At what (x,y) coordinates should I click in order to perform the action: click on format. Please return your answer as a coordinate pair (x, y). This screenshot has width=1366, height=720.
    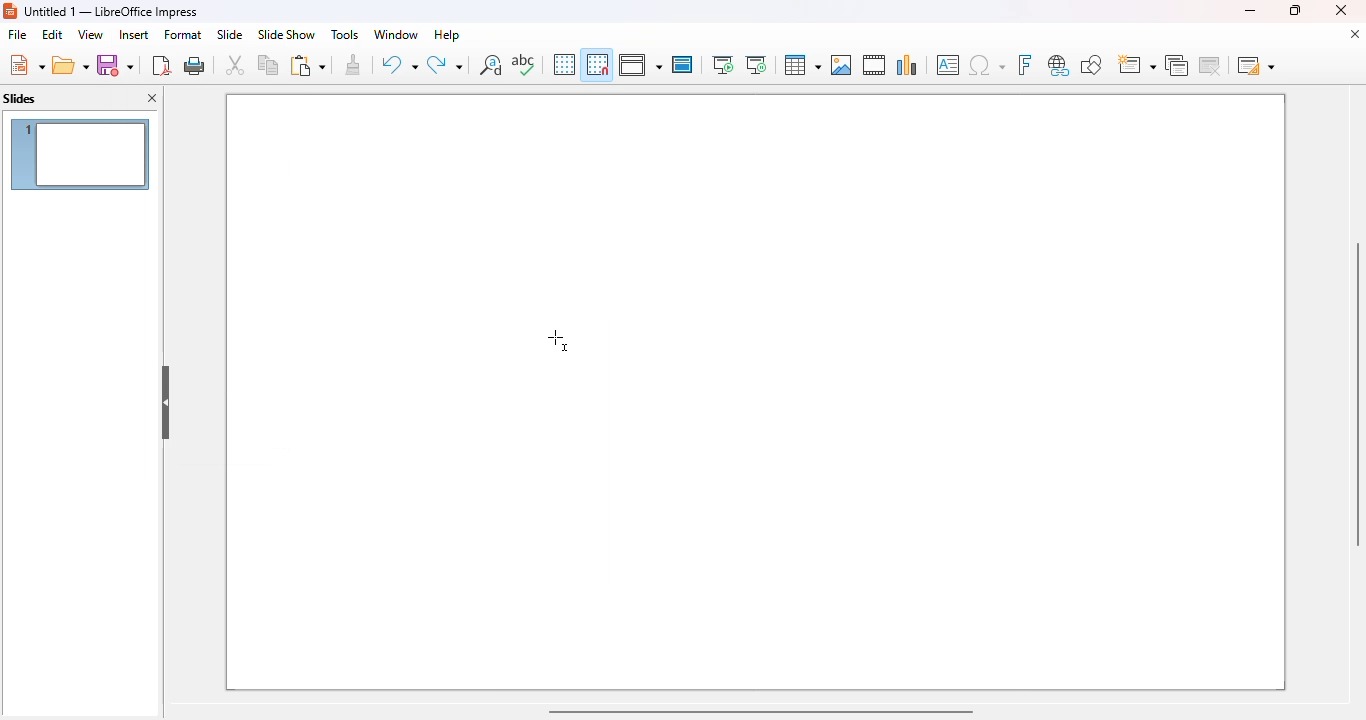
    Looking at the image, I should click on (183, 34).